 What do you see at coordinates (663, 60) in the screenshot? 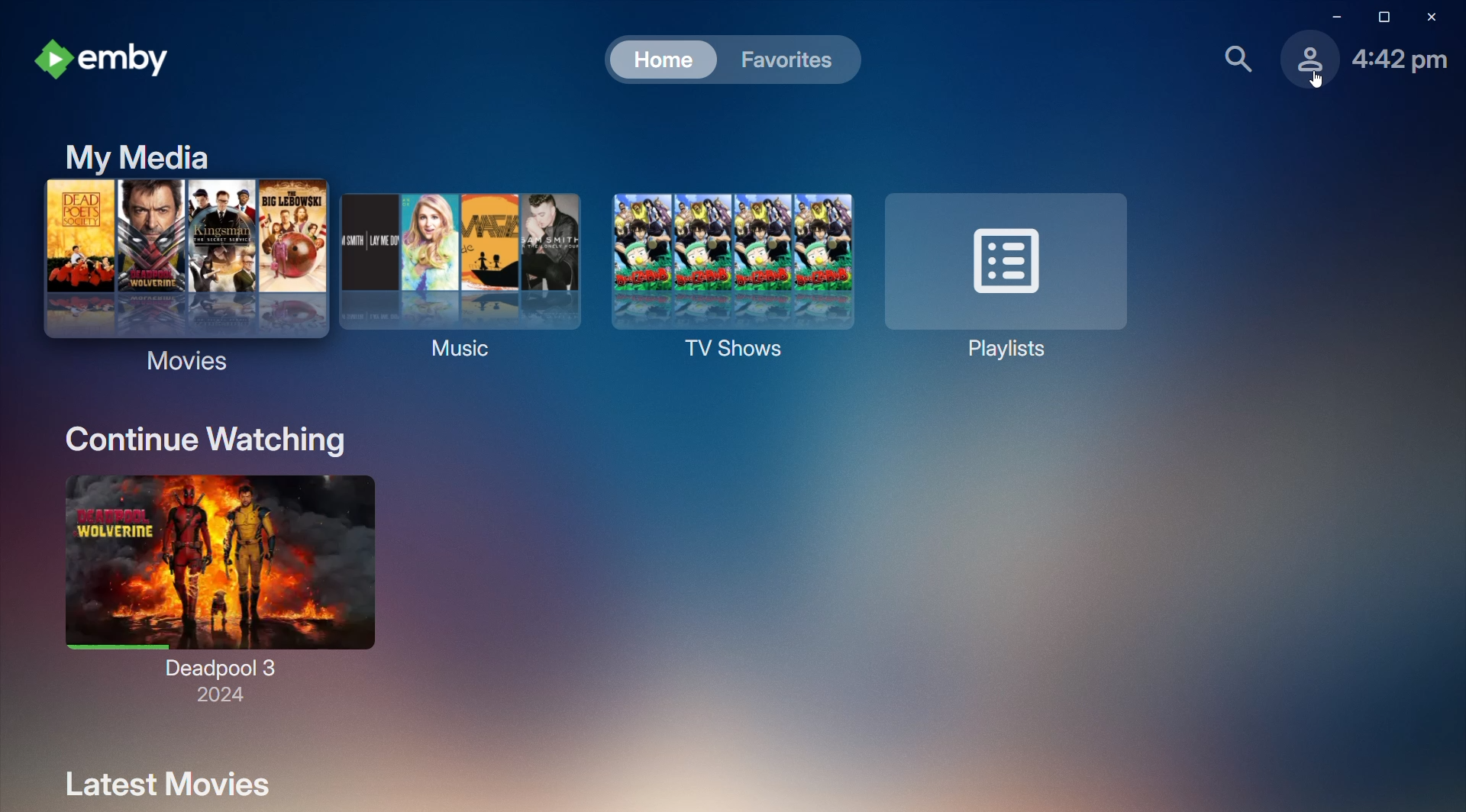
I see `Home` at bounding box center [663, 60].